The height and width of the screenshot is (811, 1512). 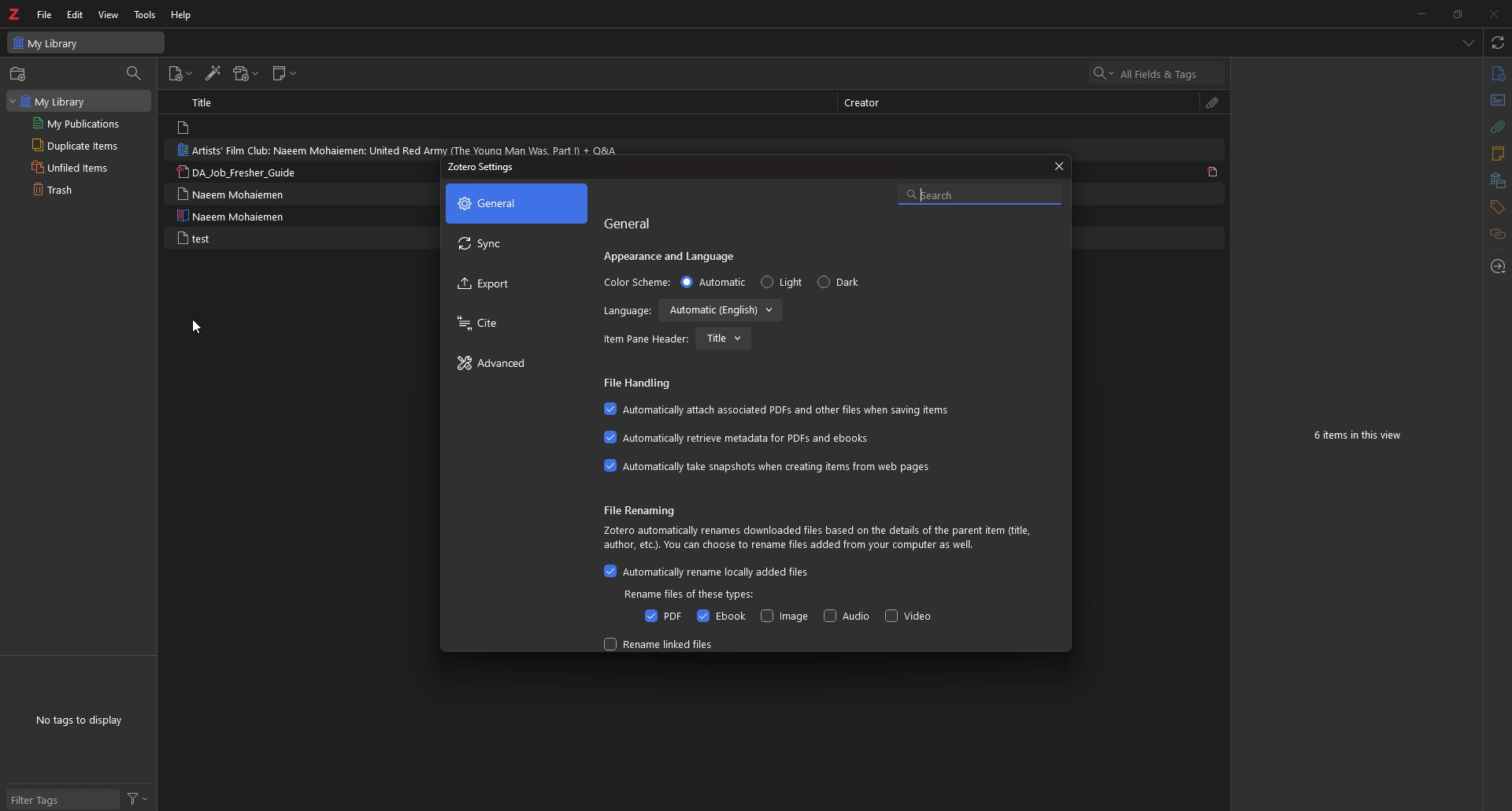 I want to click on close, so click(x=1059, y=165).